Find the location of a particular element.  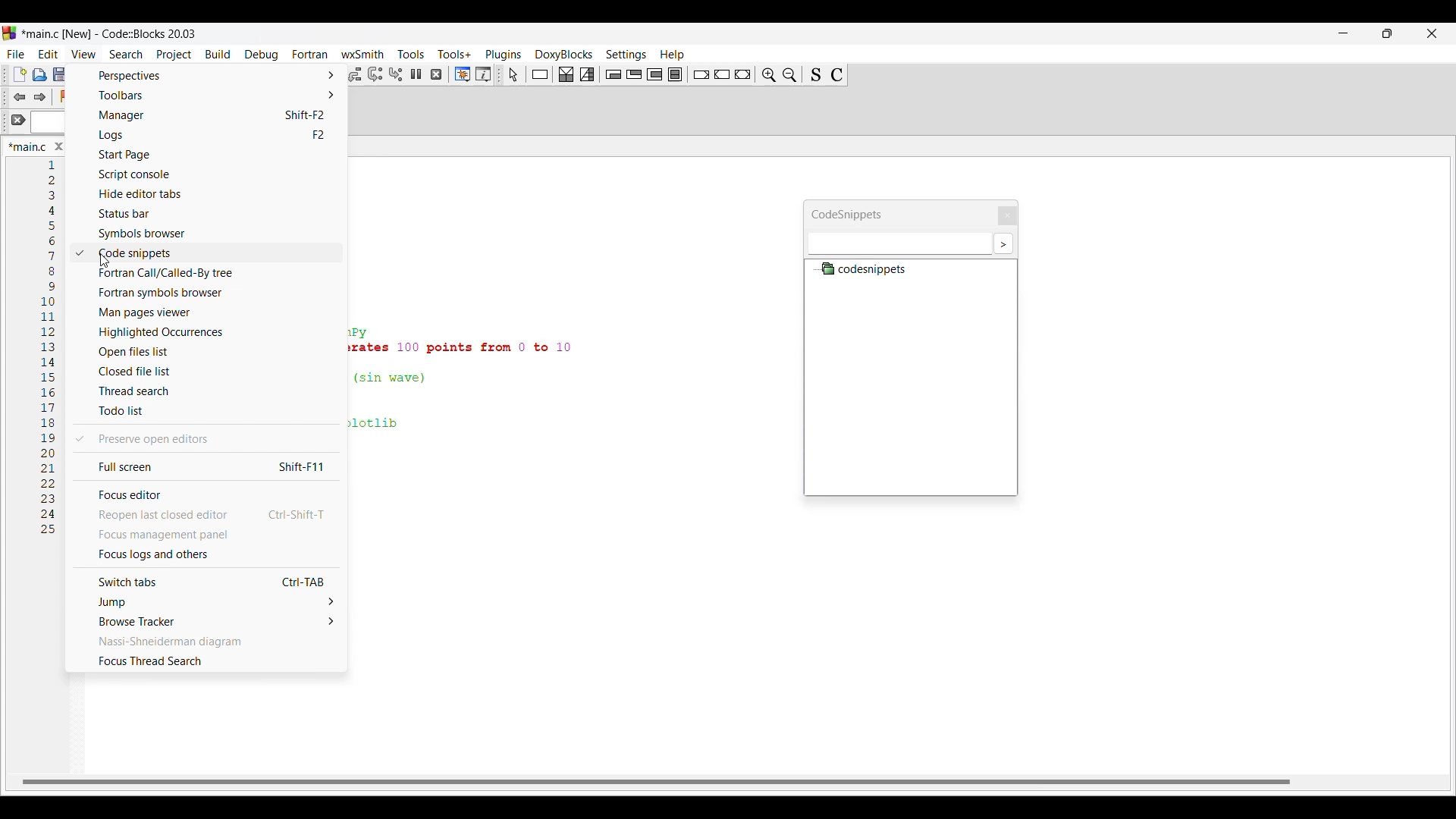

Hide editor tabs is located at coordinates (215, 193).